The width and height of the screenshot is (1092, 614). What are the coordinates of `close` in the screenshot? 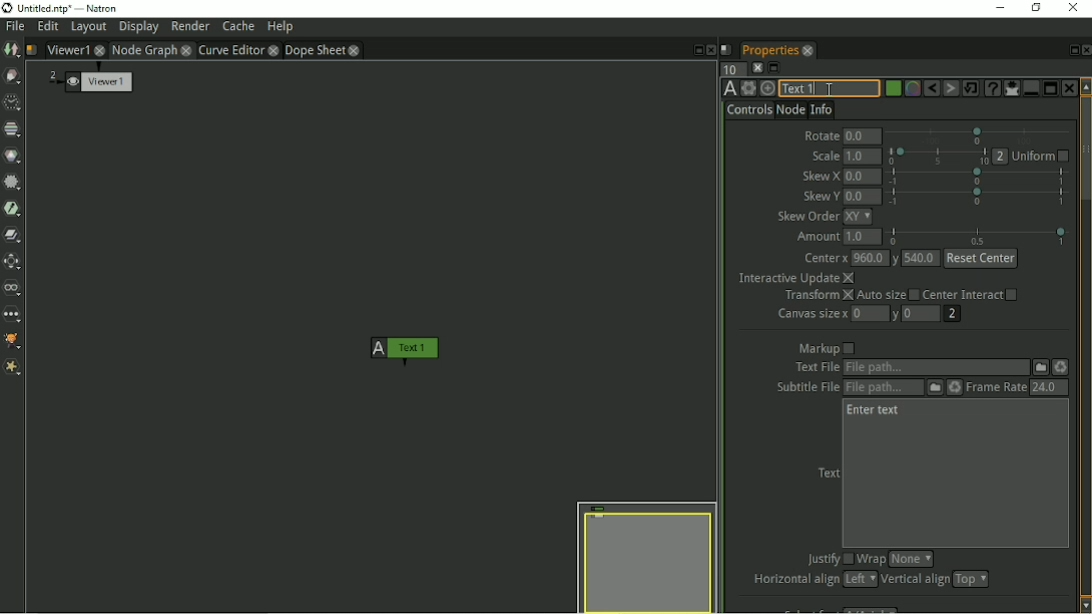 It's located at (100, 49).